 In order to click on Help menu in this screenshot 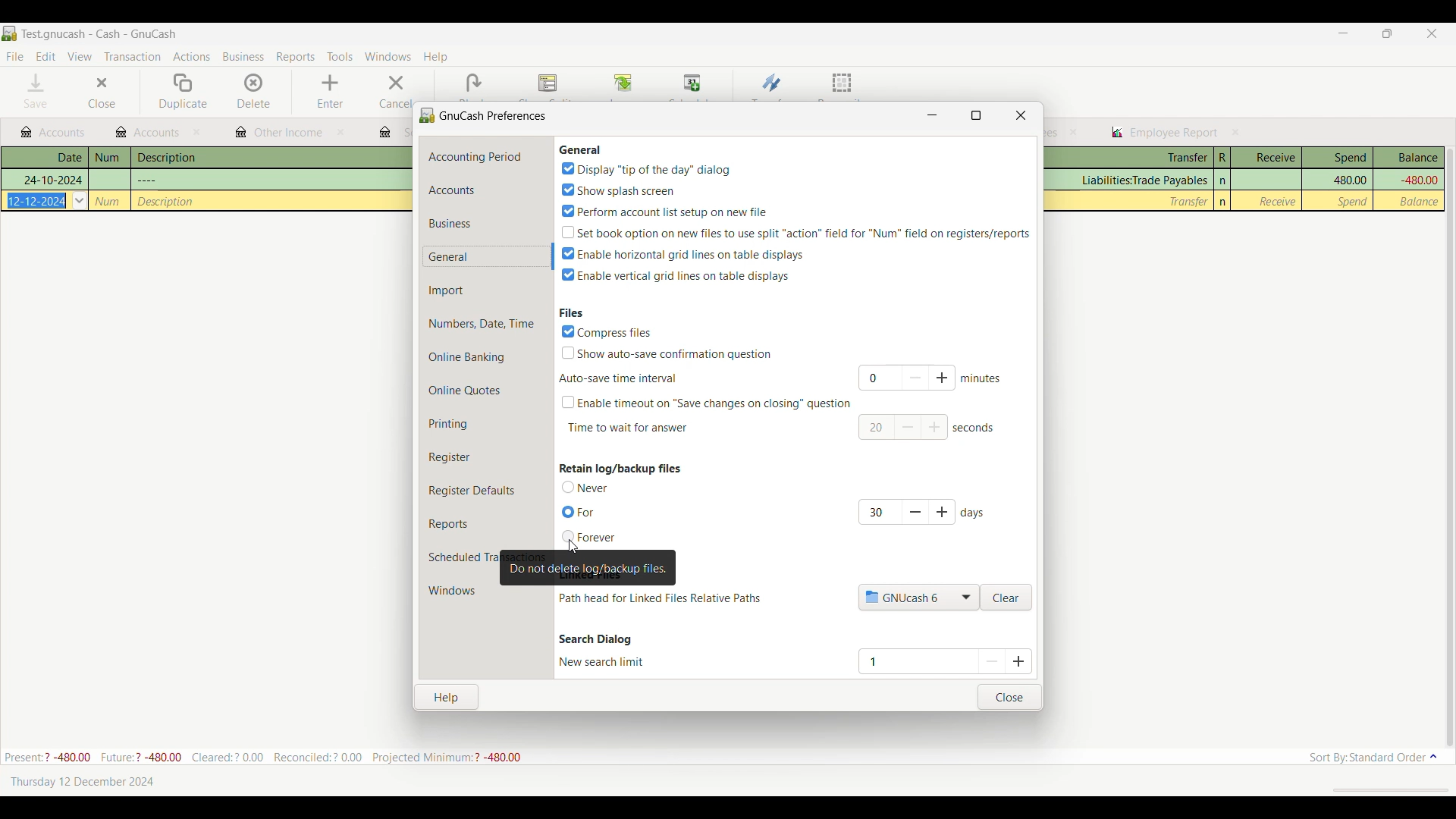, I will do `click(435, 58)`.